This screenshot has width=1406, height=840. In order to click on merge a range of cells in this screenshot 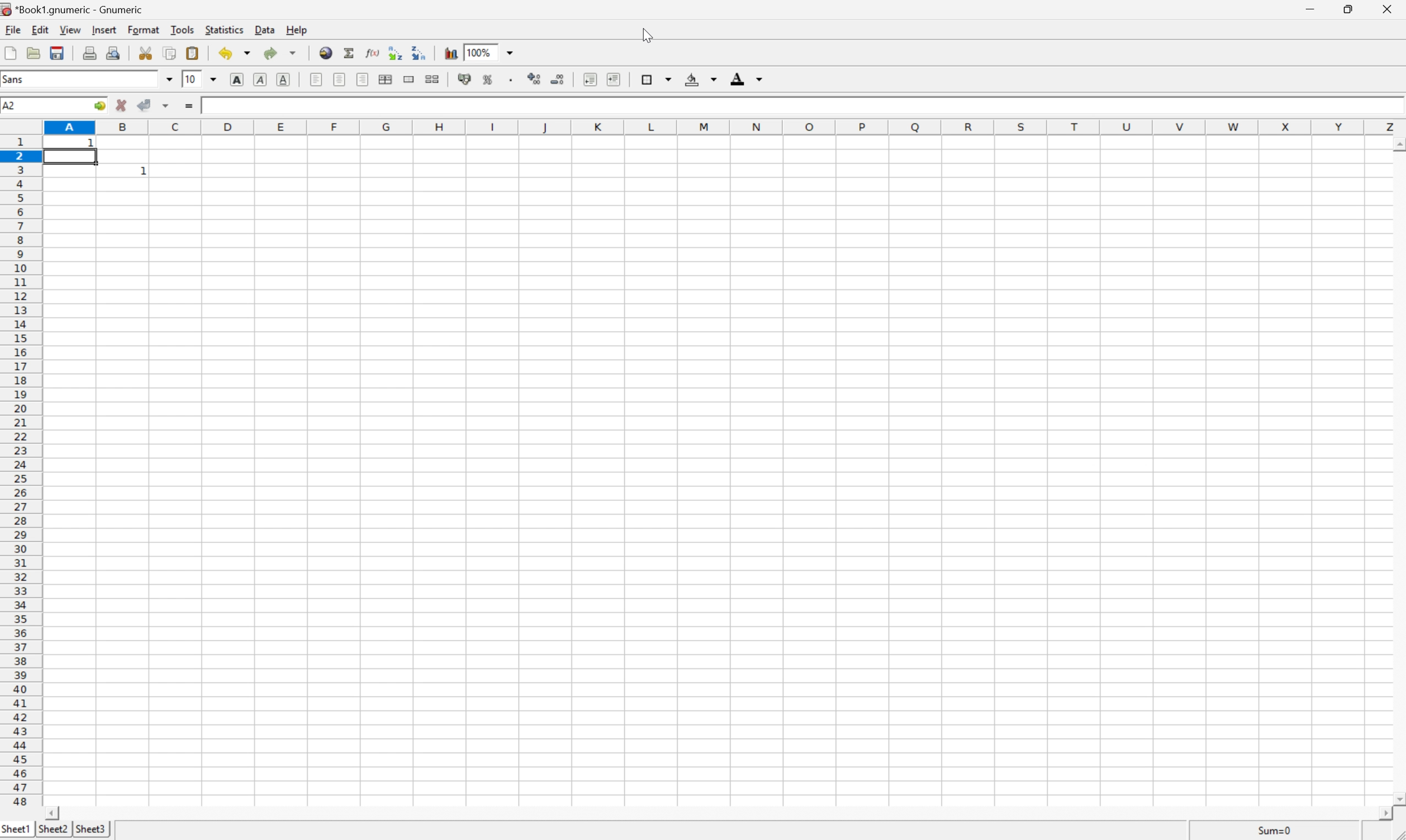, I will do `click(408, 79)`.